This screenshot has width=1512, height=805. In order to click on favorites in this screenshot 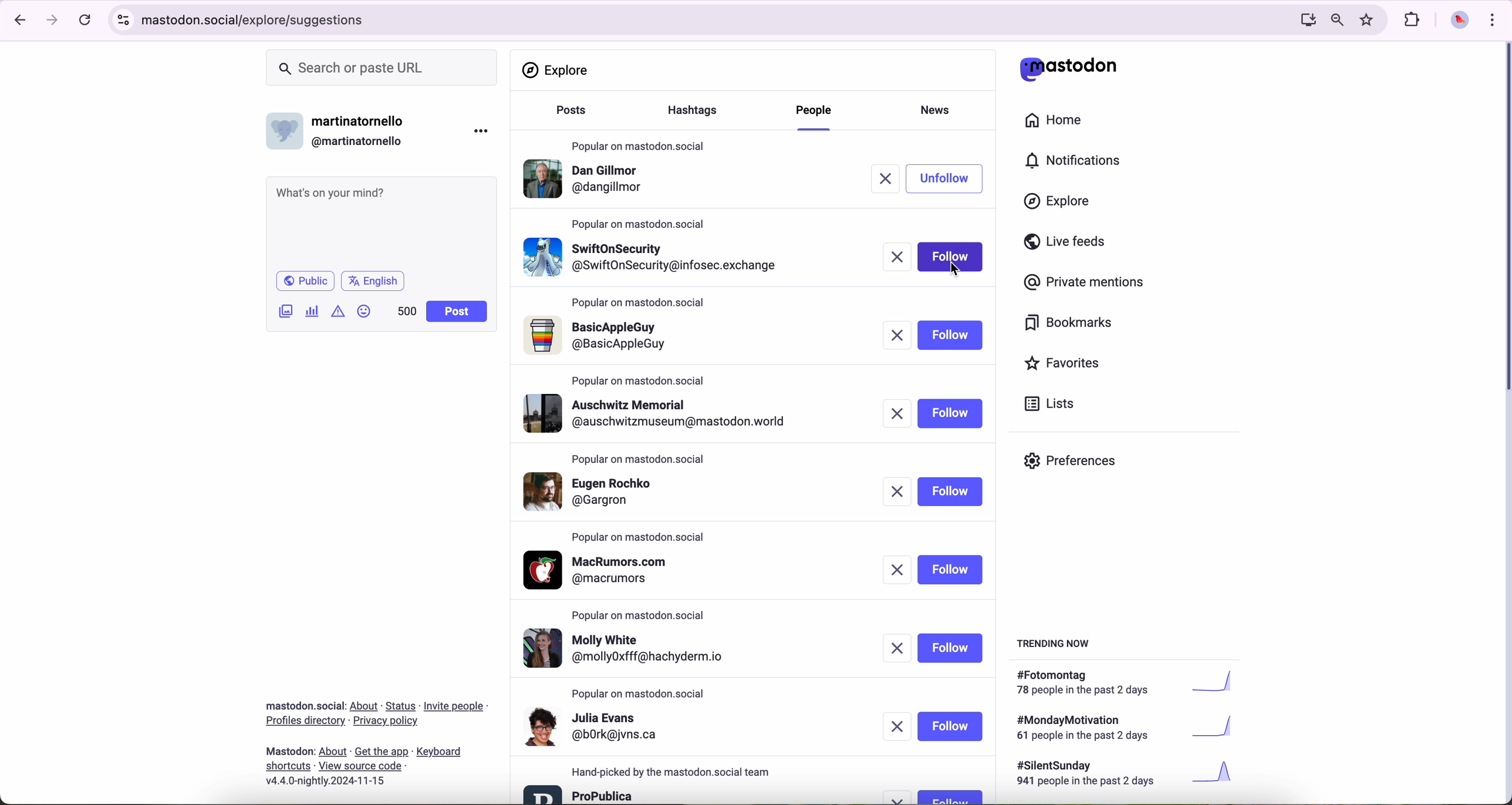, I will do `click(1067, 365)`.